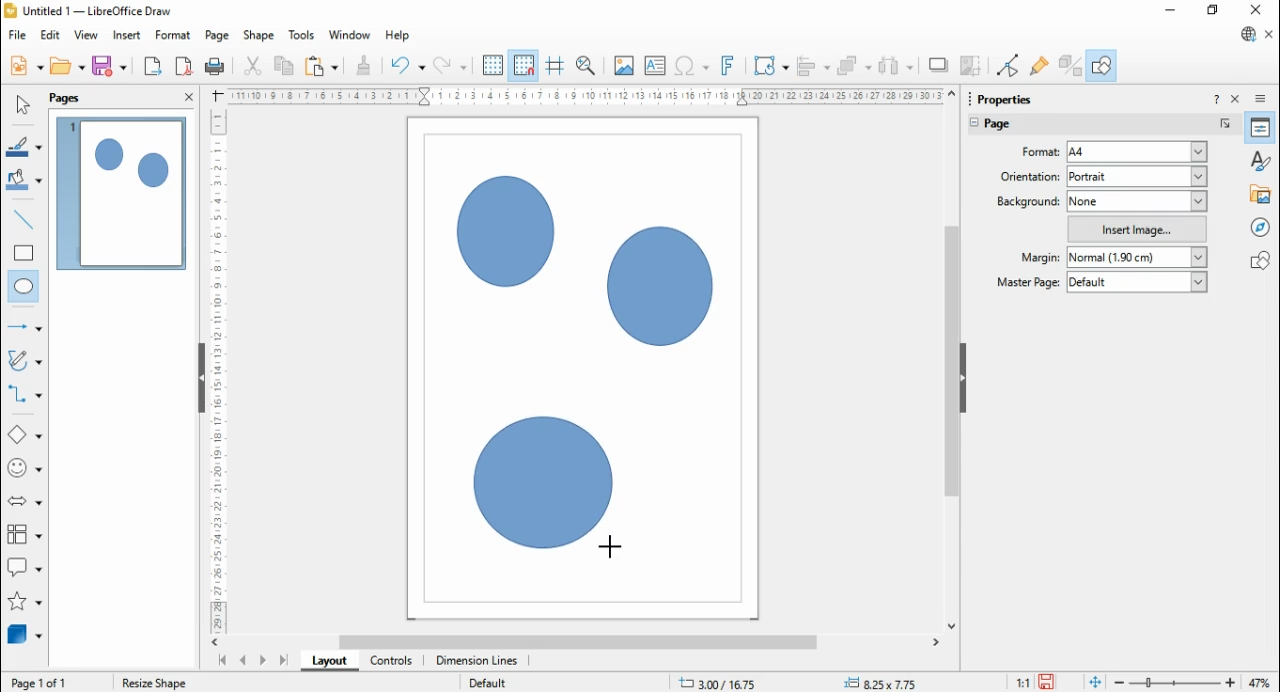  I want to click on rectangle, so click(24, 252).